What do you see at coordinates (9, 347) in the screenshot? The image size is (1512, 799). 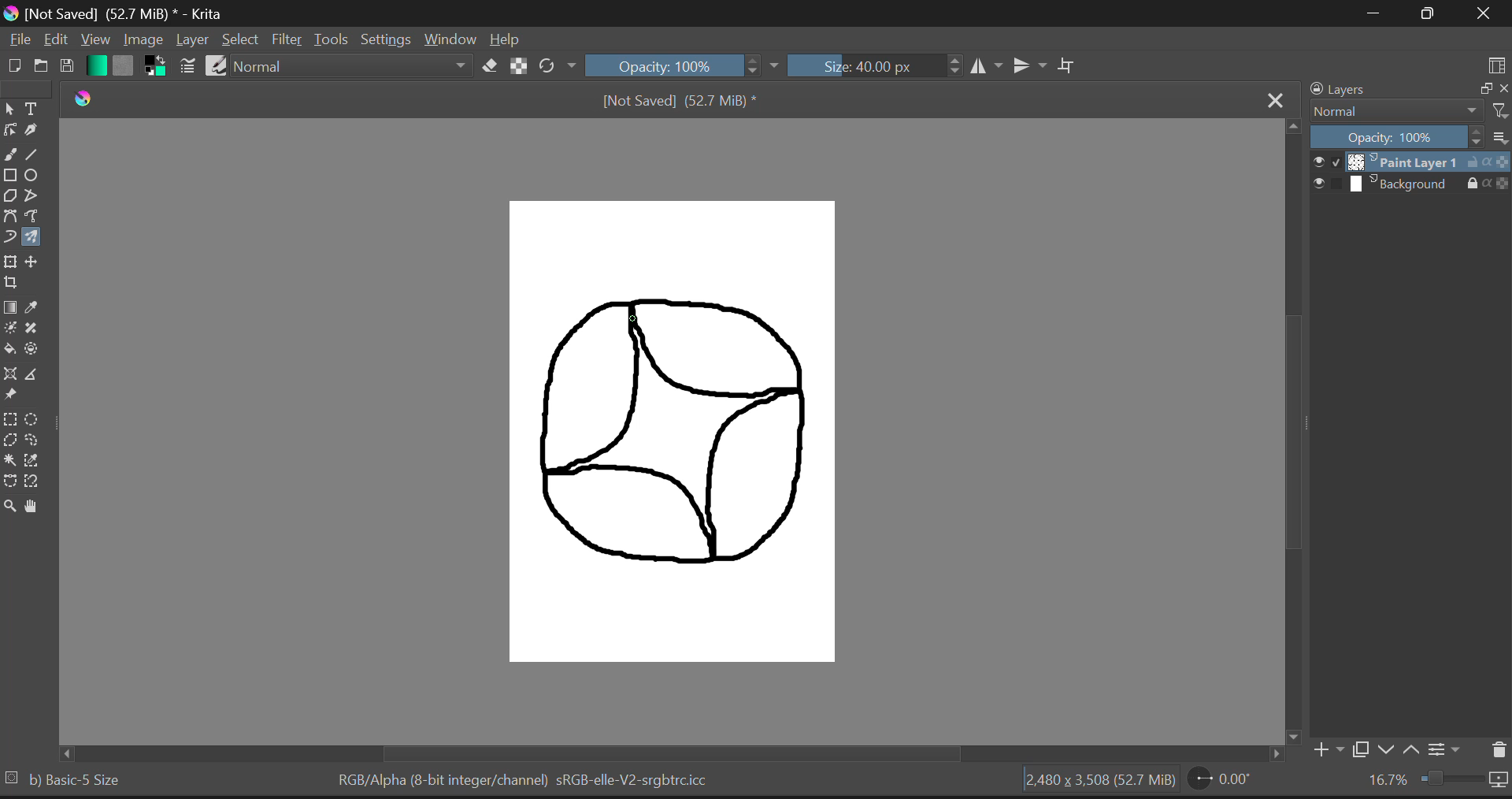 I see `Fill` at bounding box center [9, 347].